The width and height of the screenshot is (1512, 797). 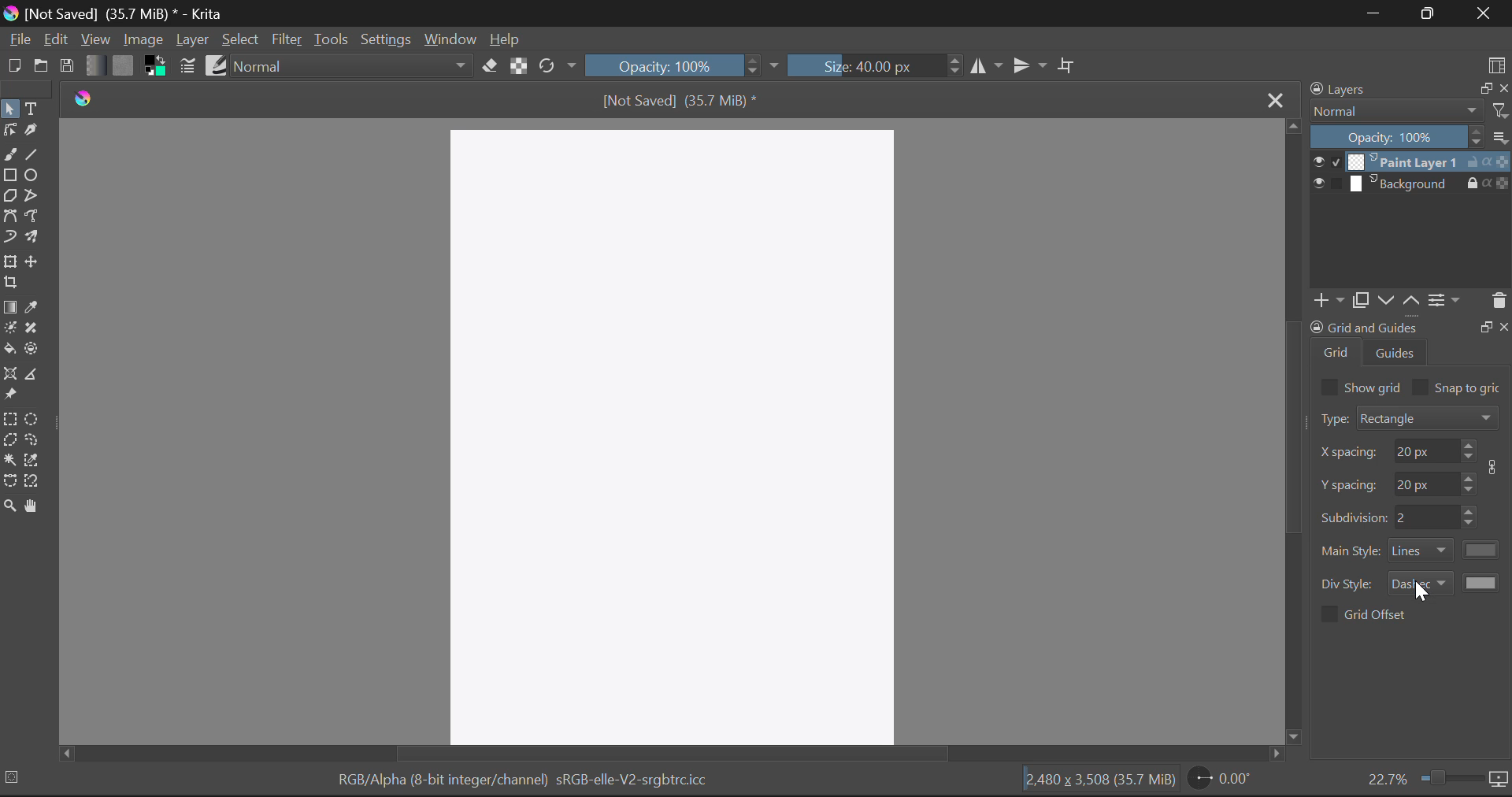 What do you see at coordinates (1332, 418) in the screenshot?
I see `type` at bounding box center [1332, 418].